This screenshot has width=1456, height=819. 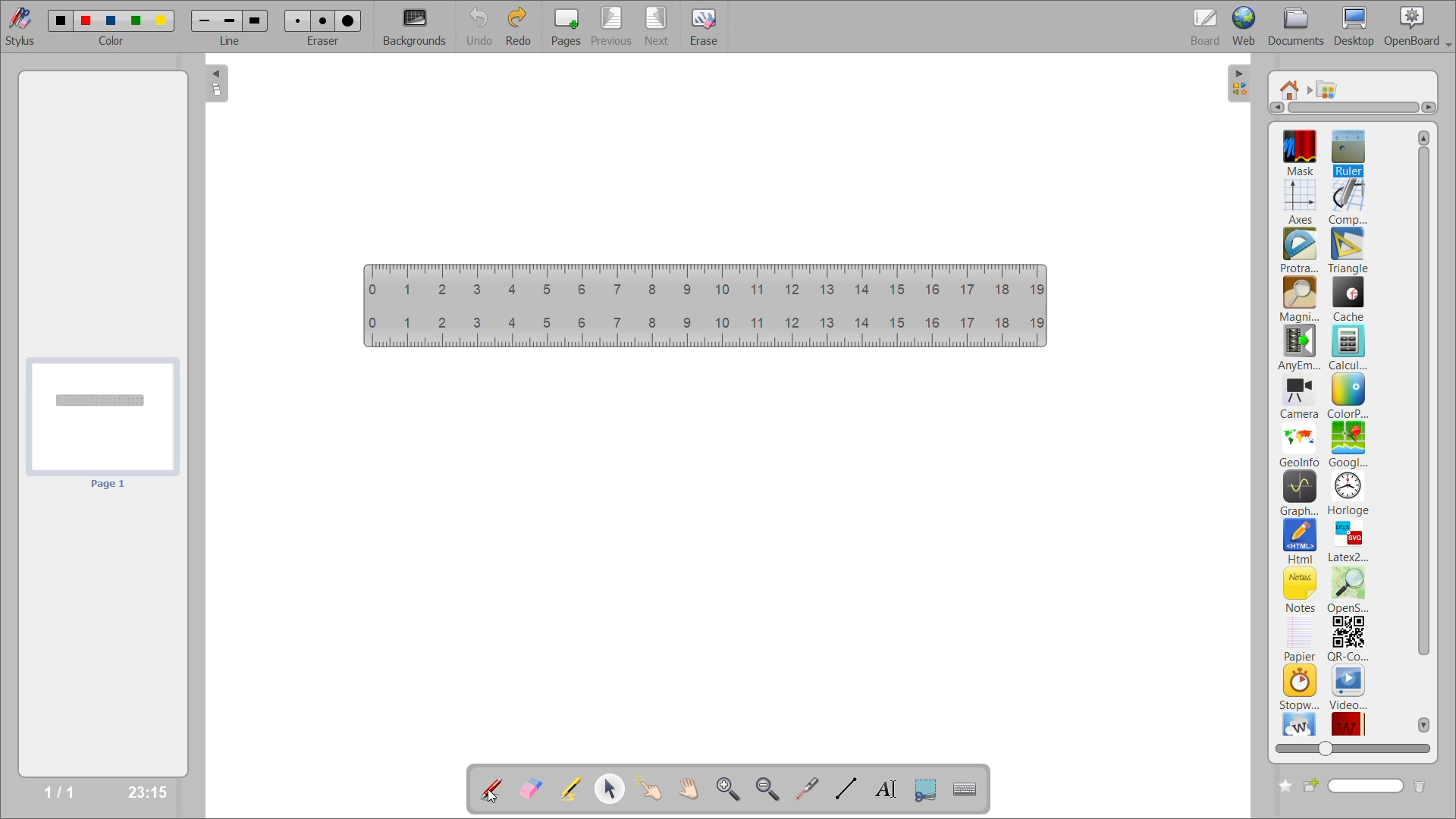 I want to click on create new folder, so click(x=1282, y=786).